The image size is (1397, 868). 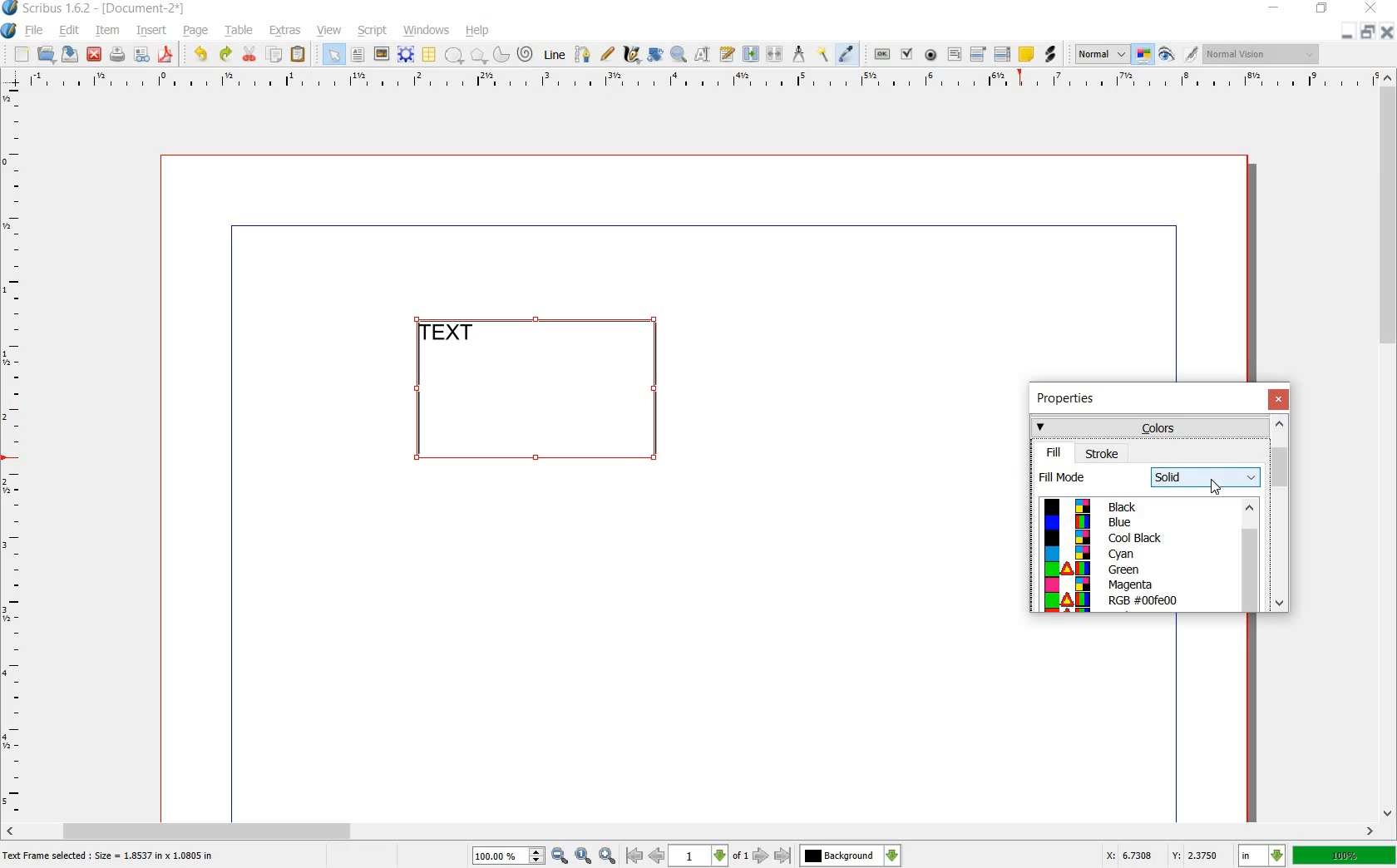 What do you see at coordinates (954, 54) in the screenshot?
I see `pdf text field` at bounding box center [954, 54].